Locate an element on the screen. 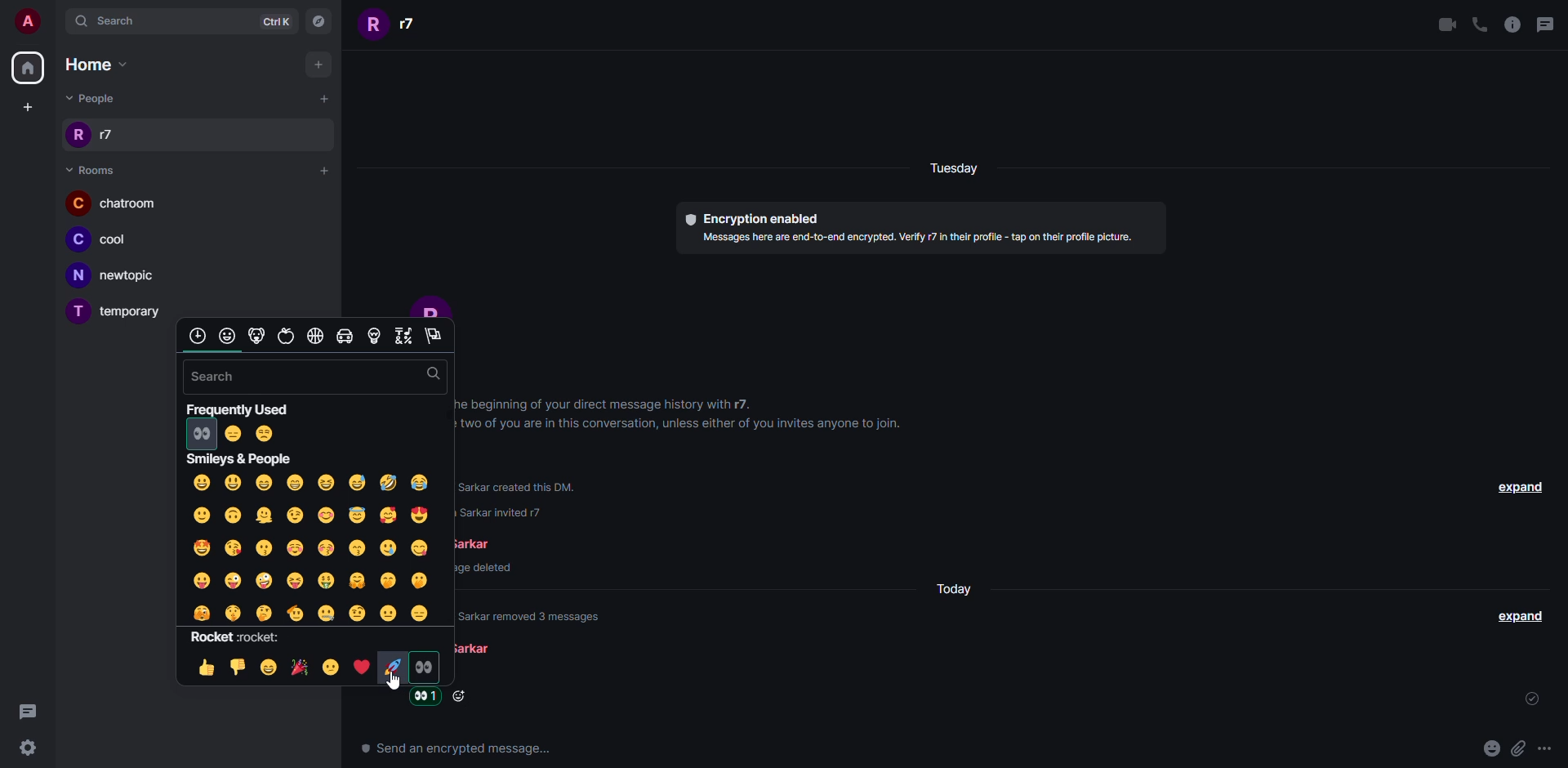 This screenshot has height=768, width=1568. day is located at coordinates (955, 587).